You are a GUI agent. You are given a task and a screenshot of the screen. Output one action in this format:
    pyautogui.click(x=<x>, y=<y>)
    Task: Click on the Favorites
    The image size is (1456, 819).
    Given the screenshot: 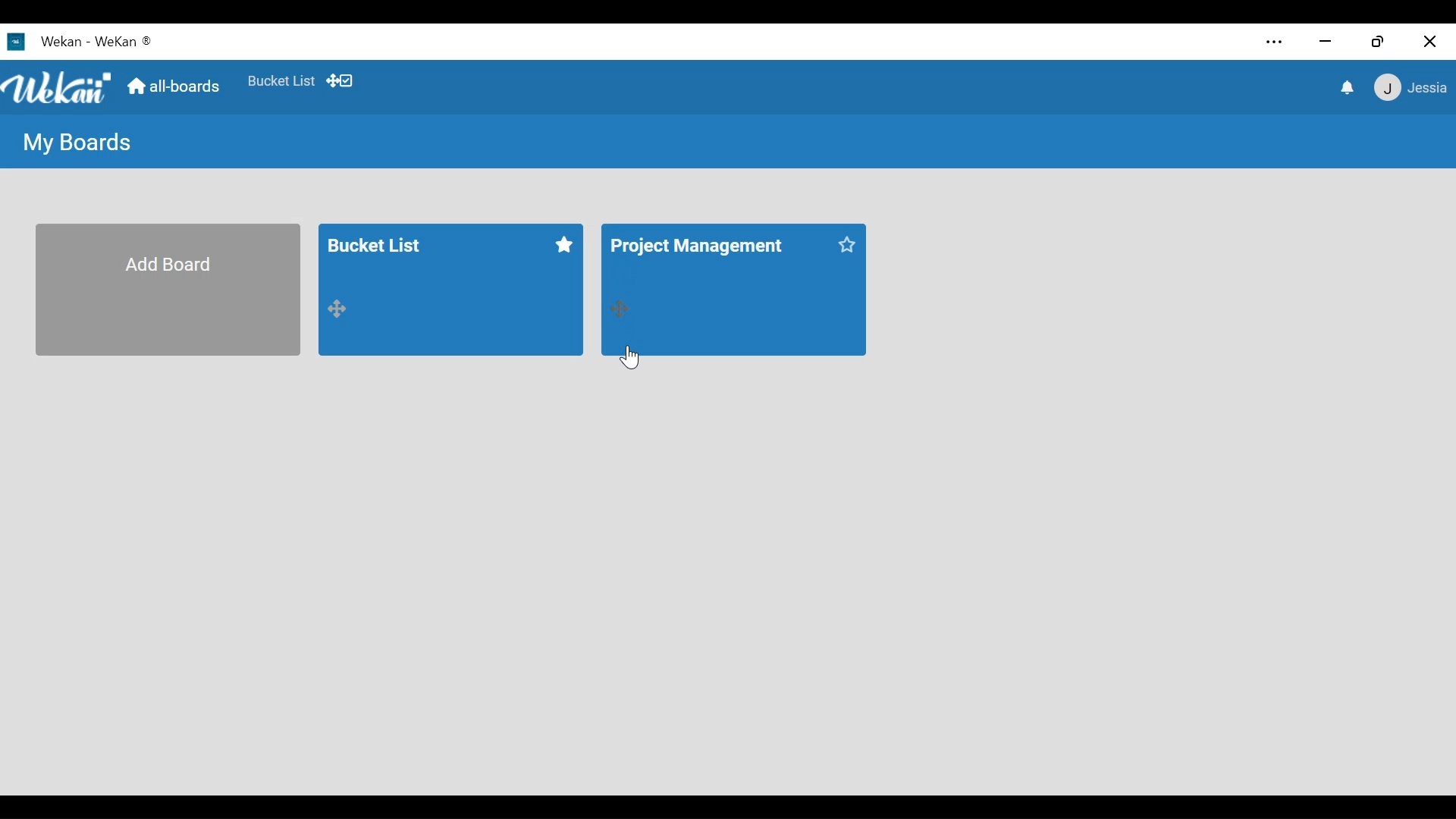 What is the action you would take?
    pyautogui.click(x=281, y=81)
    